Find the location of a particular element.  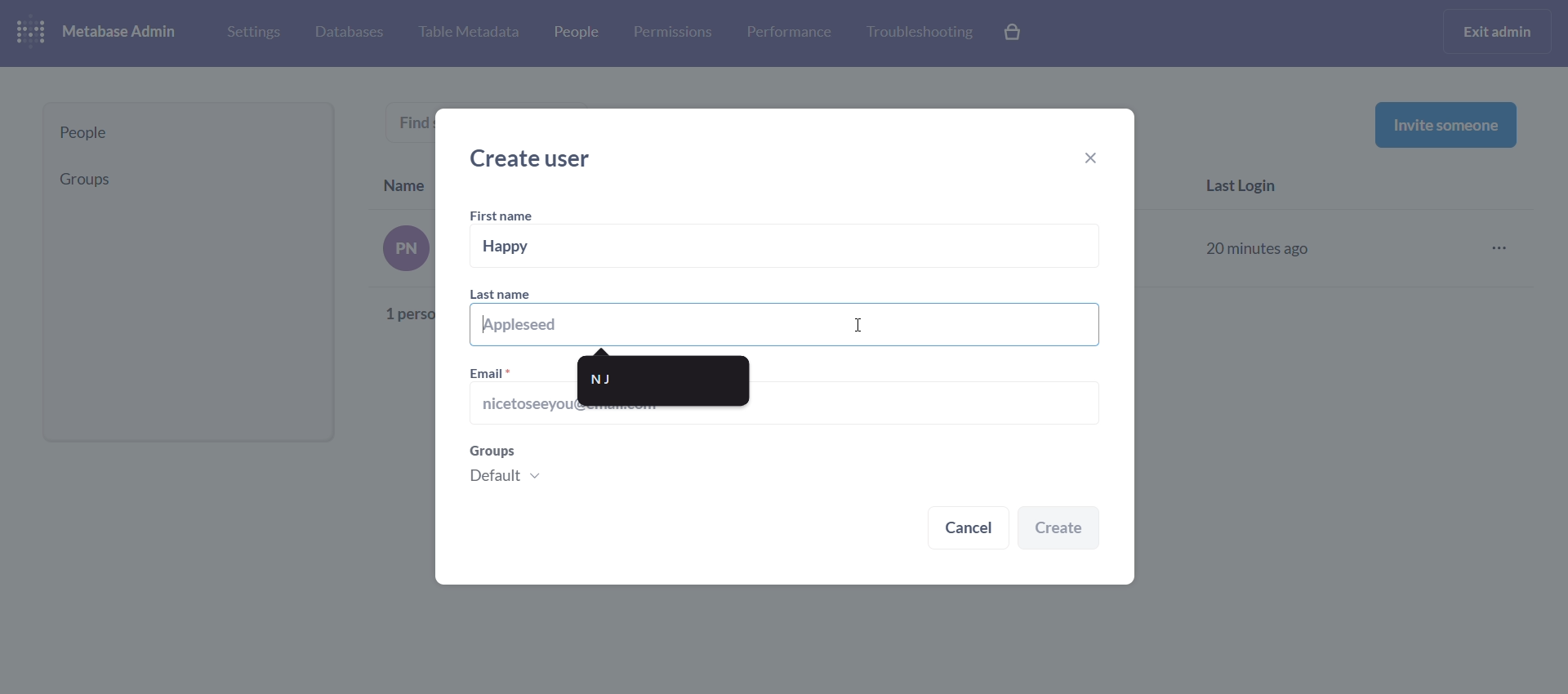

explore paid features is located at coordinates (1014, 33).